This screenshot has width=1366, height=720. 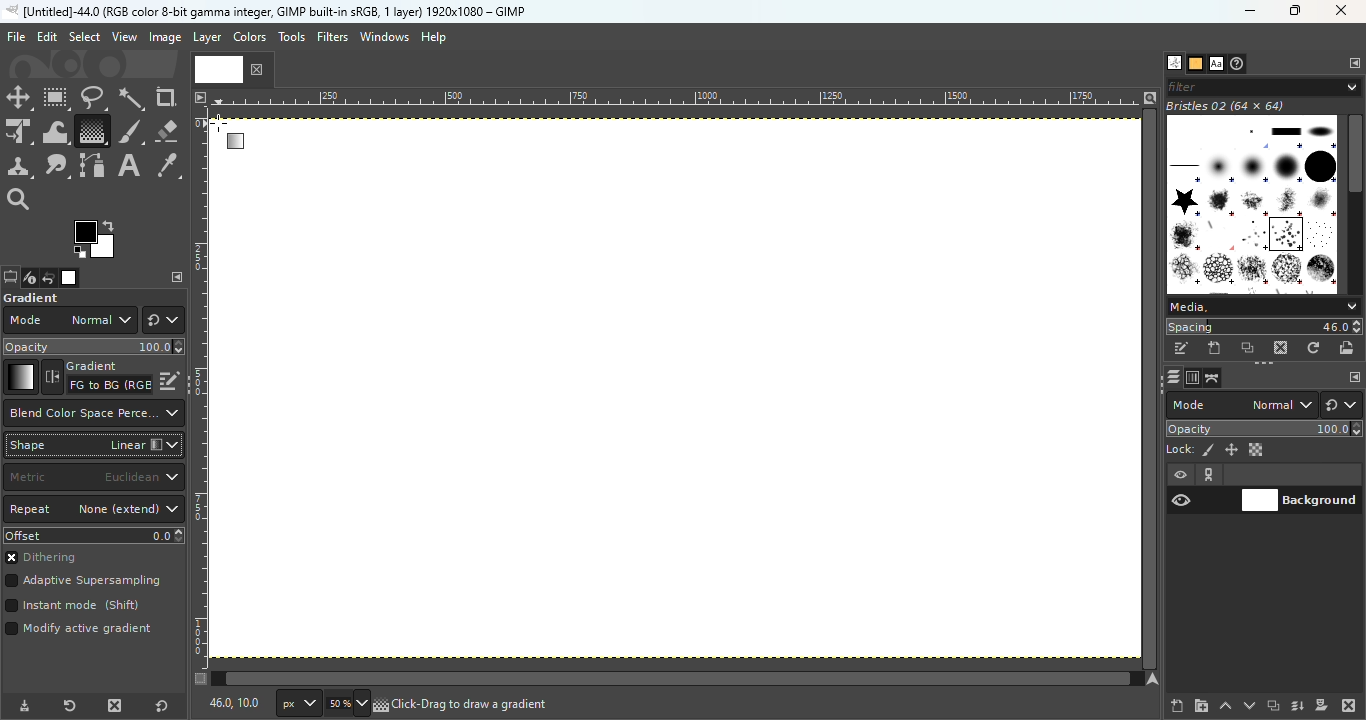 What do you see at coordinates (265, 11) in the screenshot?
I see `untitled -36.0 (rgb color 8-bit gamma integer , gimp built in stgb, 1 layer) 1174x788 - gimp` at bounding box center [265, 11].